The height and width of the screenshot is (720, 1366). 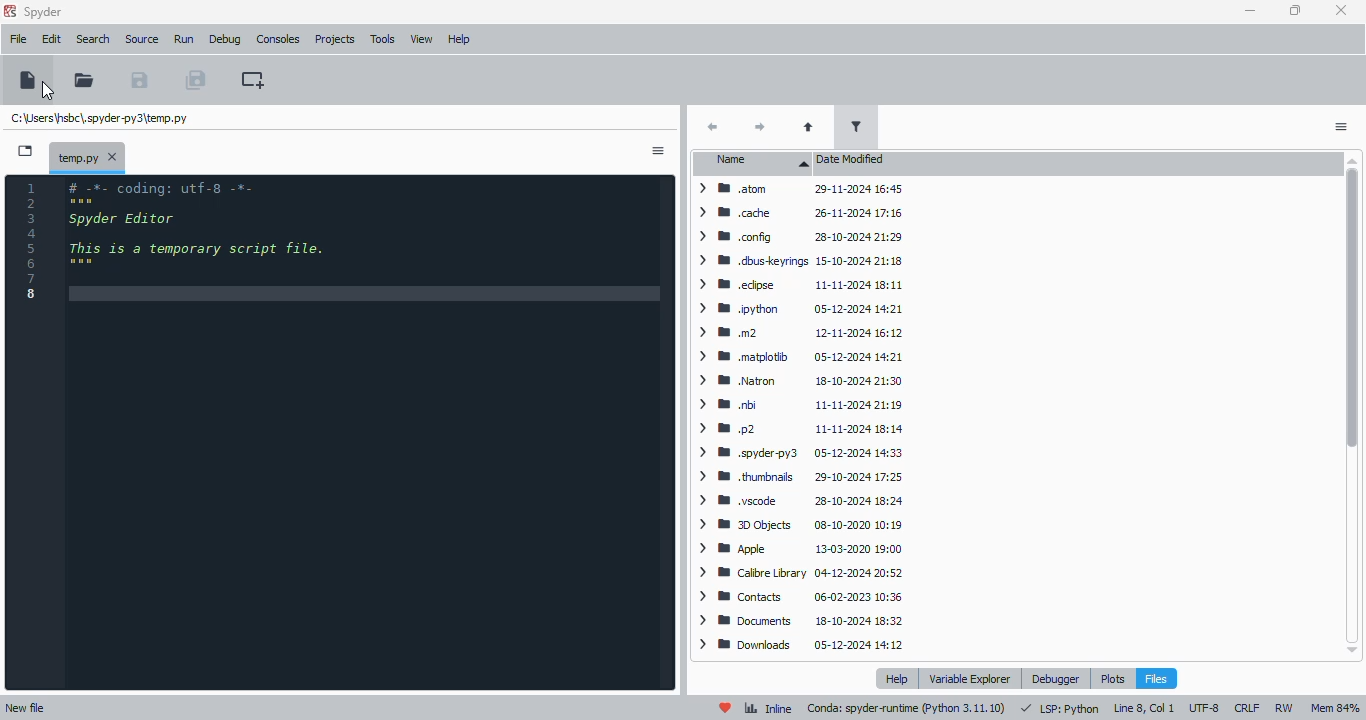 I want to click on back, so click(x=712, y=126).